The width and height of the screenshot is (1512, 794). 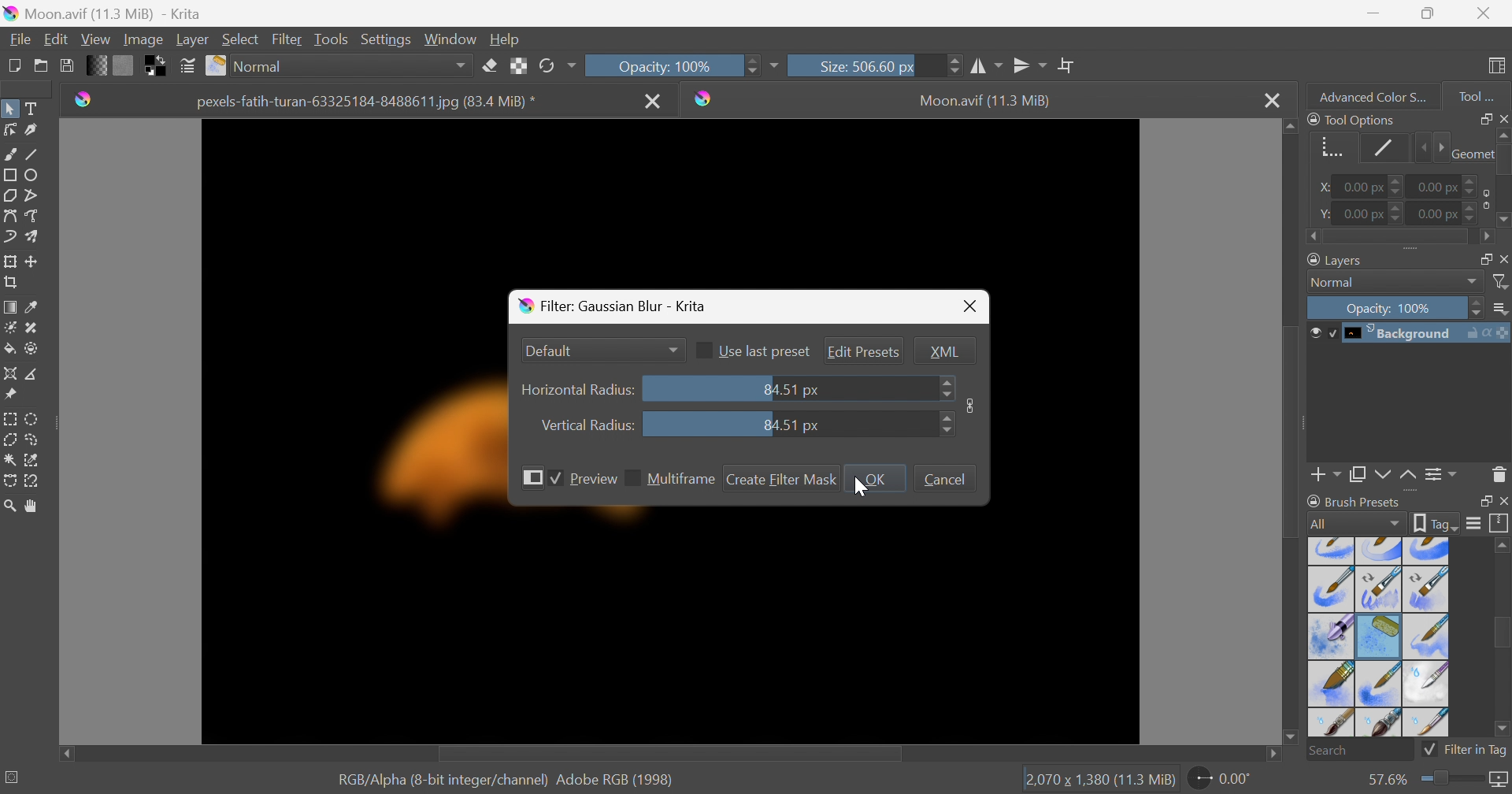 I want to click on 0.00 px, so click(x=1451, y=213).